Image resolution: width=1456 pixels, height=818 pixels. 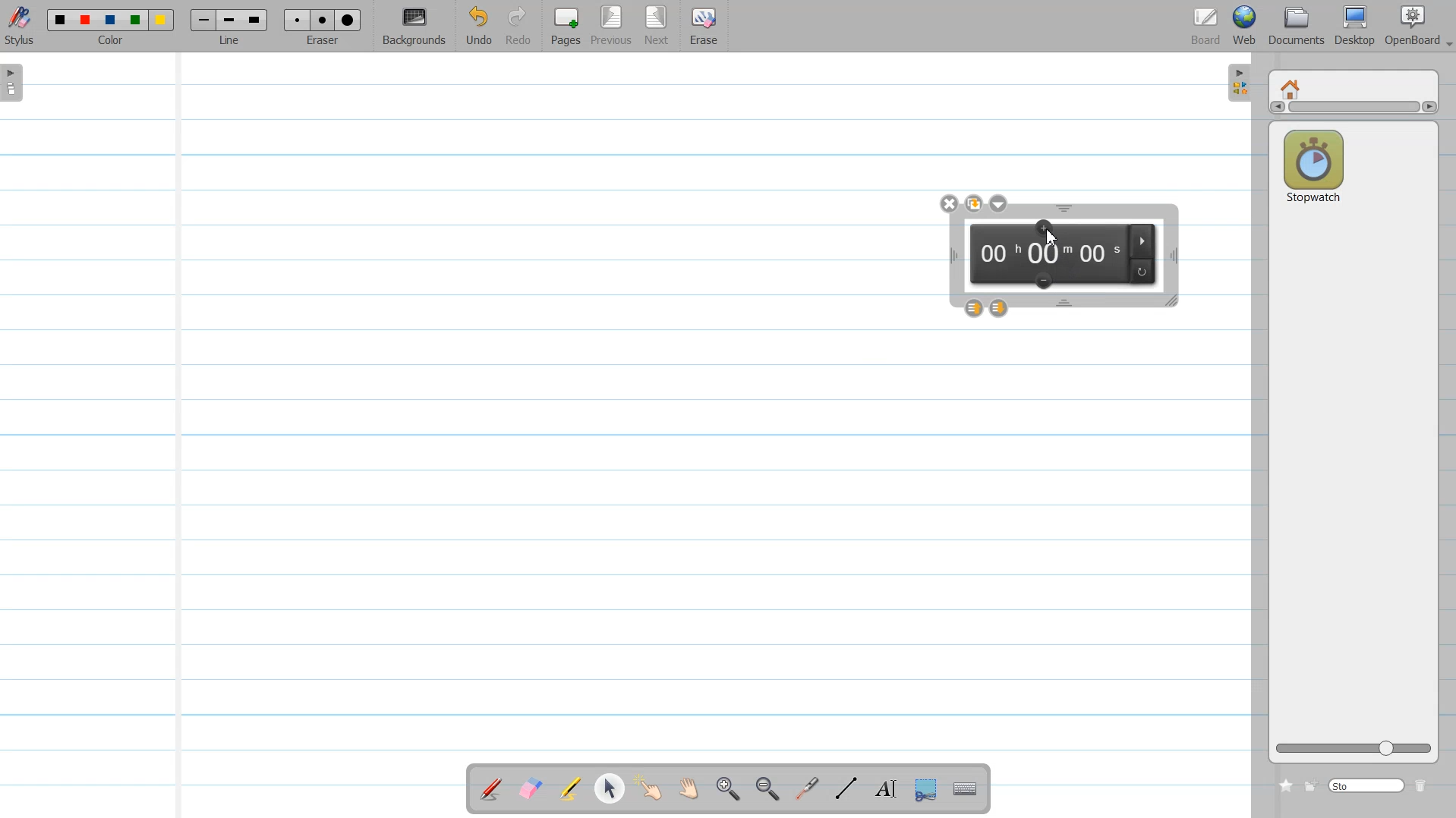 What do you see at coordinates (491, 788) in the screenshot?
I see `Annotate a Document ` at bounding box center [491, 788].